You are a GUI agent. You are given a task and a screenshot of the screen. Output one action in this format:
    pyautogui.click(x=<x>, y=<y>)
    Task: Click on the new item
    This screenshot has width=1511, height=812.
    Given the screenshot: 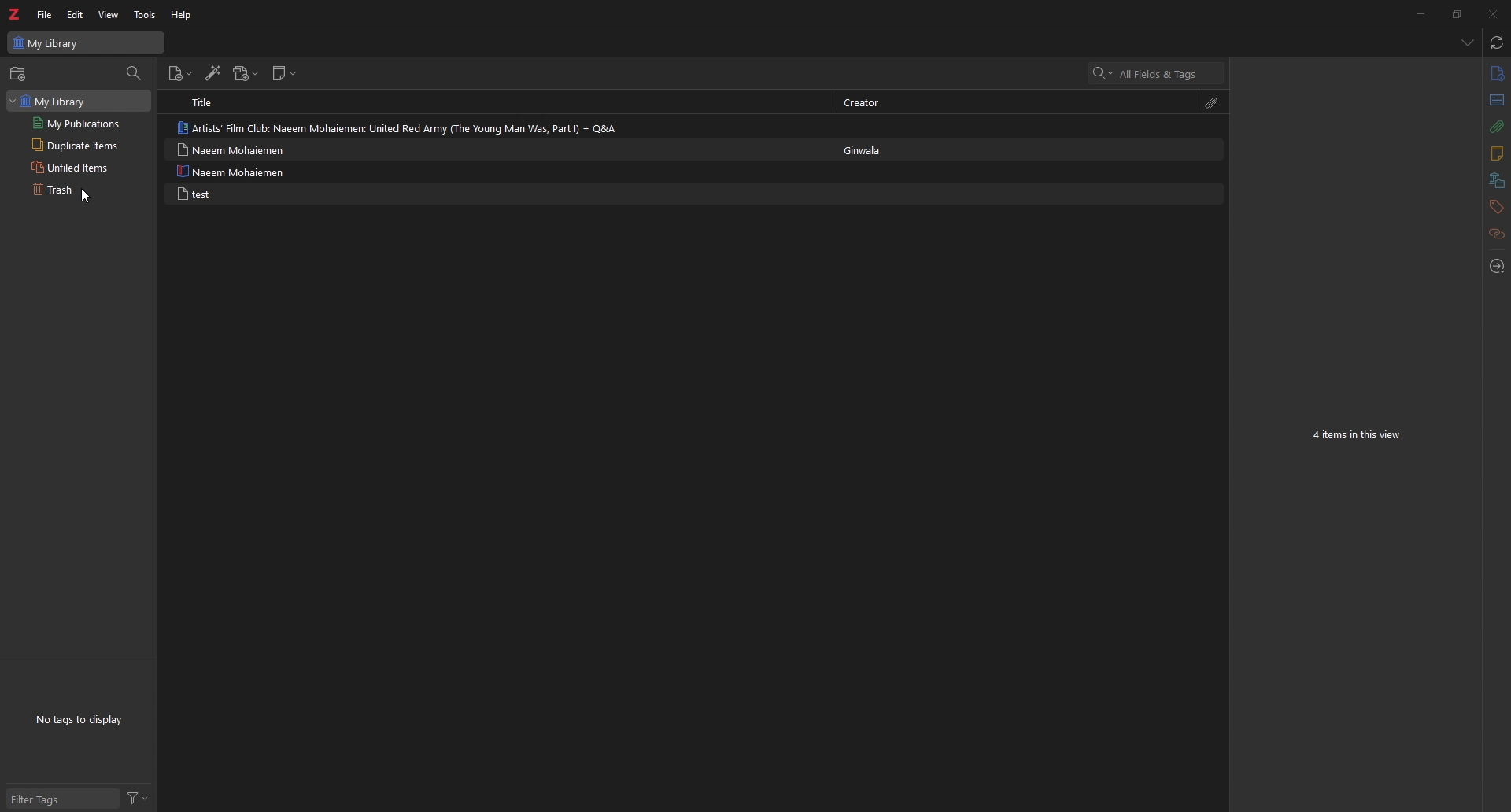 What is the action you would take?
    pyautogui.click(x=181, y=74)
    